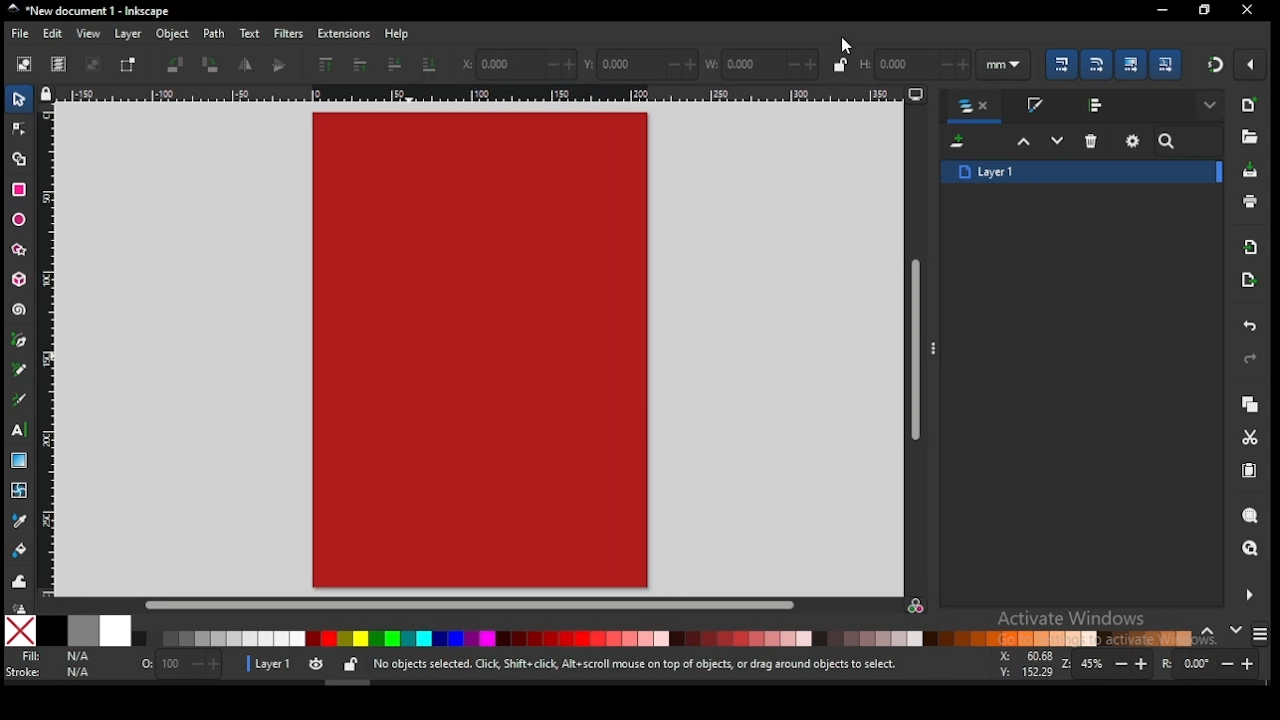  Describe the element at coordinates (20, 128) in the screenshot. I see `node tool` at that location.